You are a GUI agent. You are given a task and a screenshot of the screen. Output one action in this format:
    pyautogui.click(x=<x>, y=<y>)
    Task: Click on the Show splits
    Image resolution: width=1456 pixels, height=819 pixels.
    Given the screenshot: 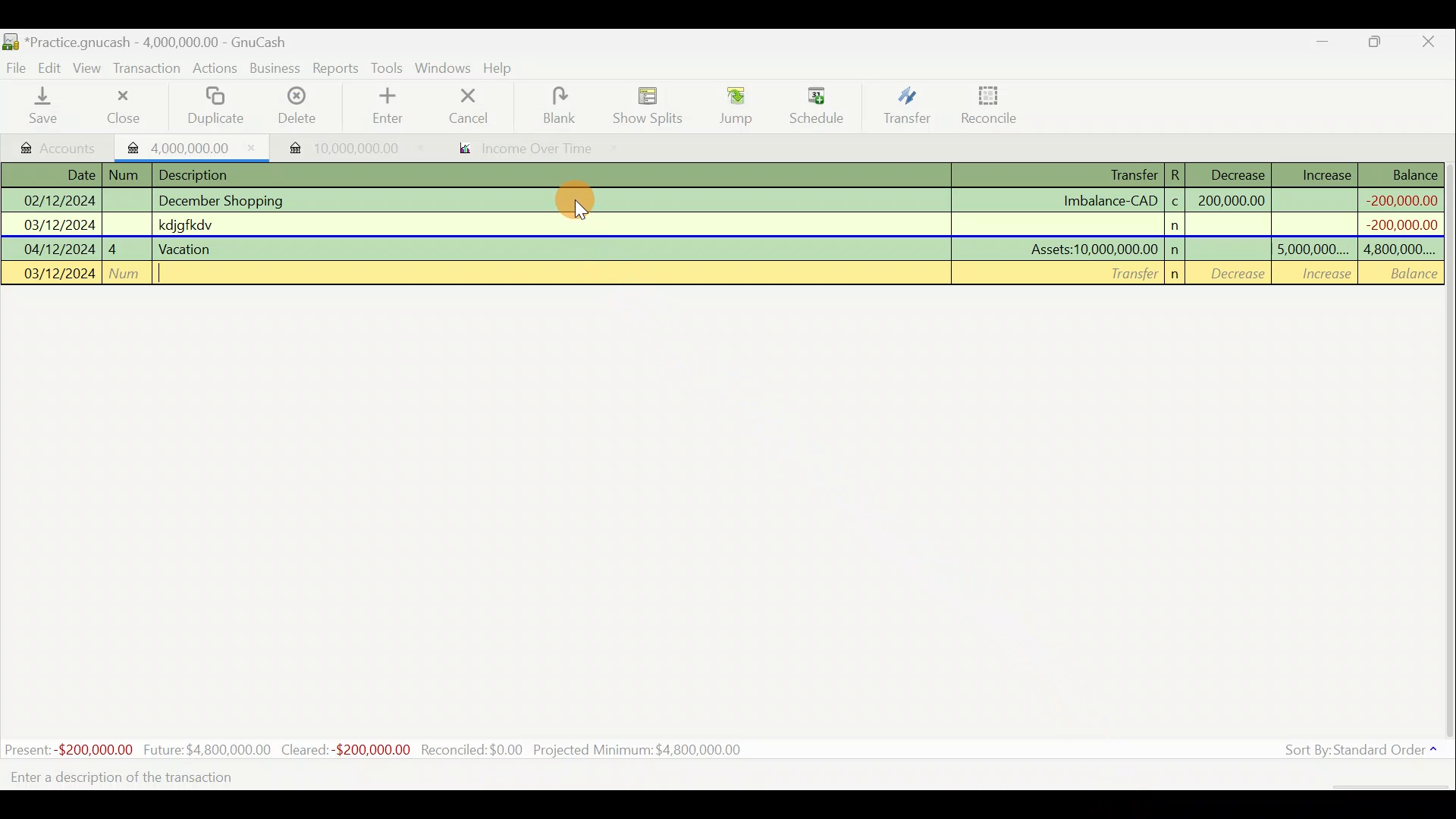 What is the action you would take?
    pyautogui.click(x=652, y=105)
    